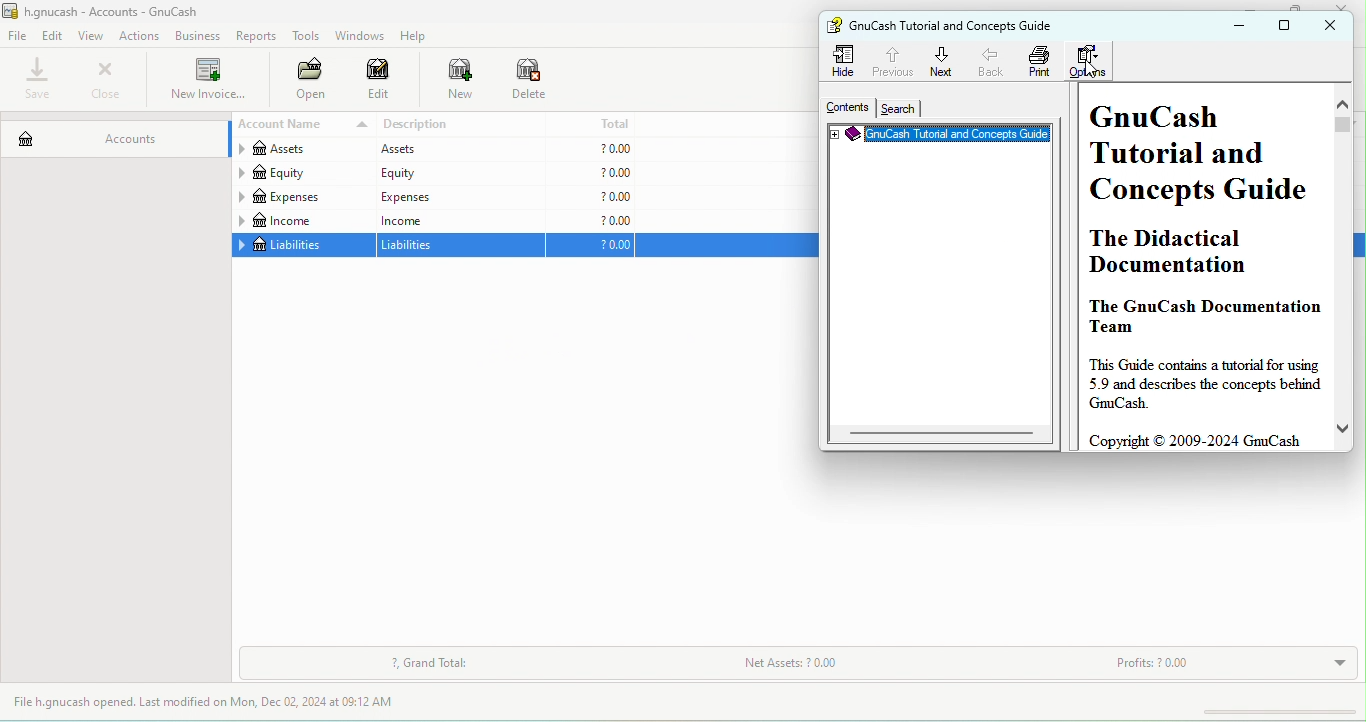 The image size is (1366, 722). I want to click on help, so click(418, 36).